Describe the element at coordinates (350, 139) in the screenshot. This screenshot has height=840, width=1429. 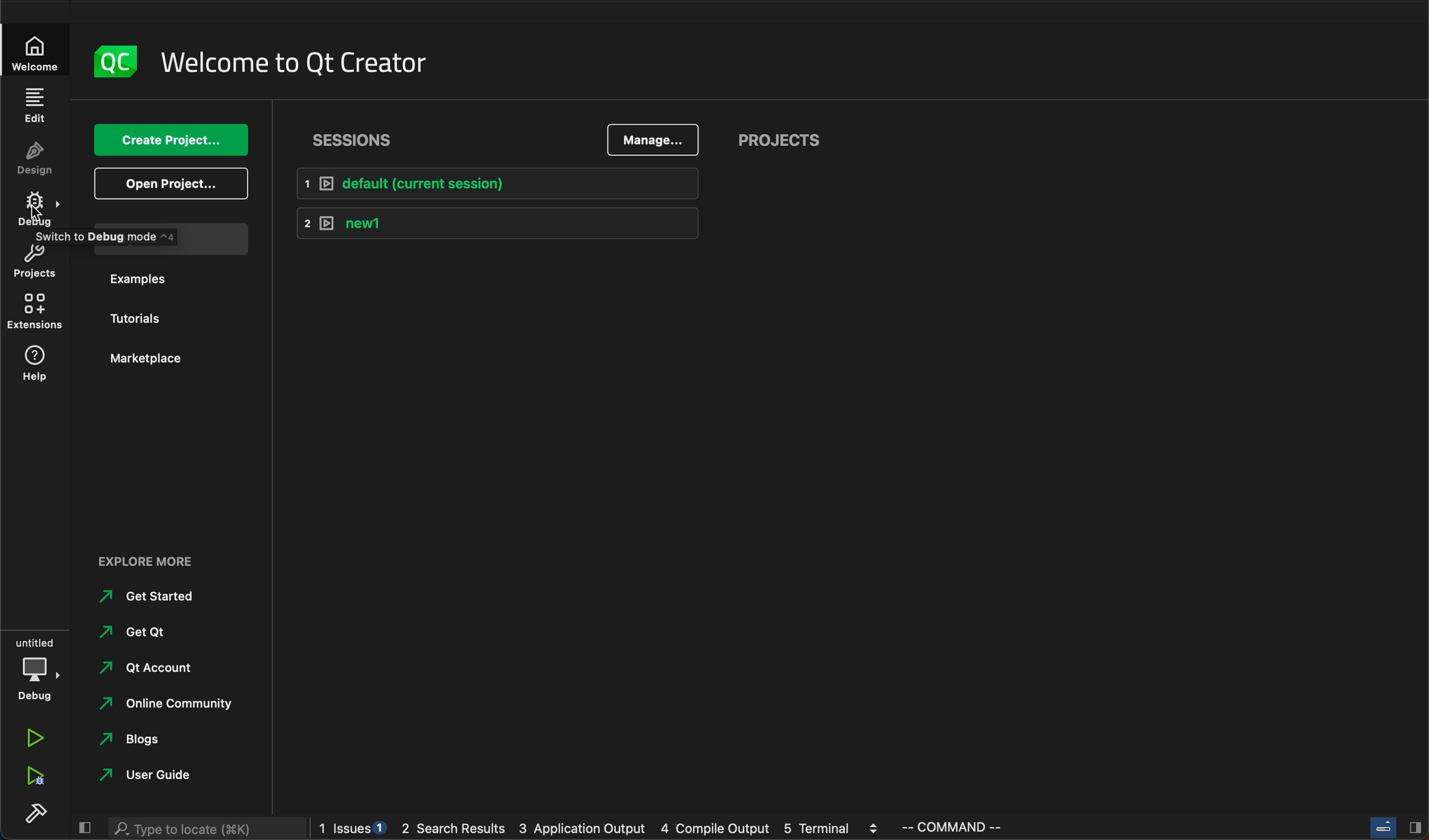
I see `sessions` at that location.